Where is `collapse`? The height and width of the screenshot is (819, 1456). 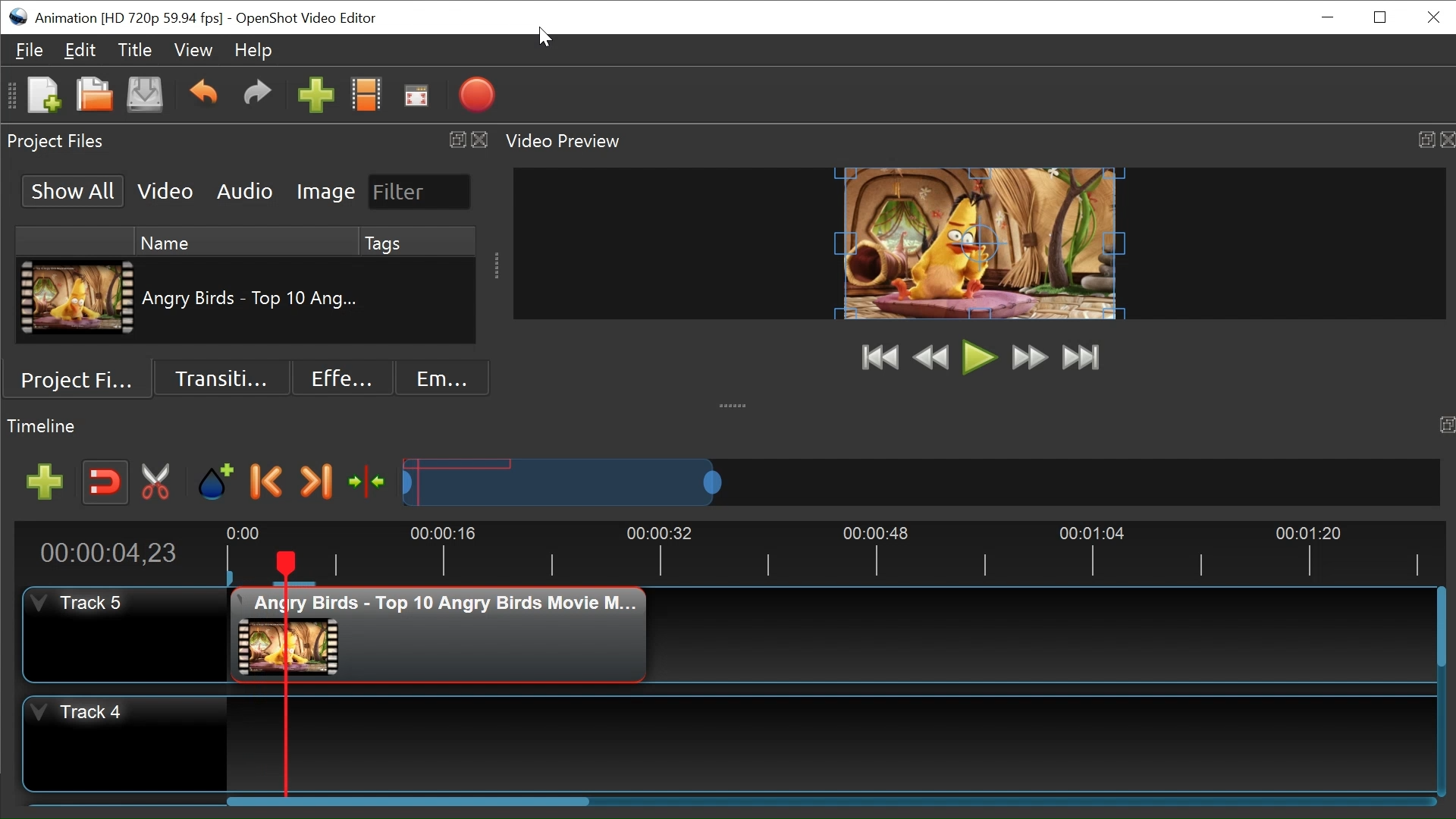 collapse is located at coordinates (733, 403).